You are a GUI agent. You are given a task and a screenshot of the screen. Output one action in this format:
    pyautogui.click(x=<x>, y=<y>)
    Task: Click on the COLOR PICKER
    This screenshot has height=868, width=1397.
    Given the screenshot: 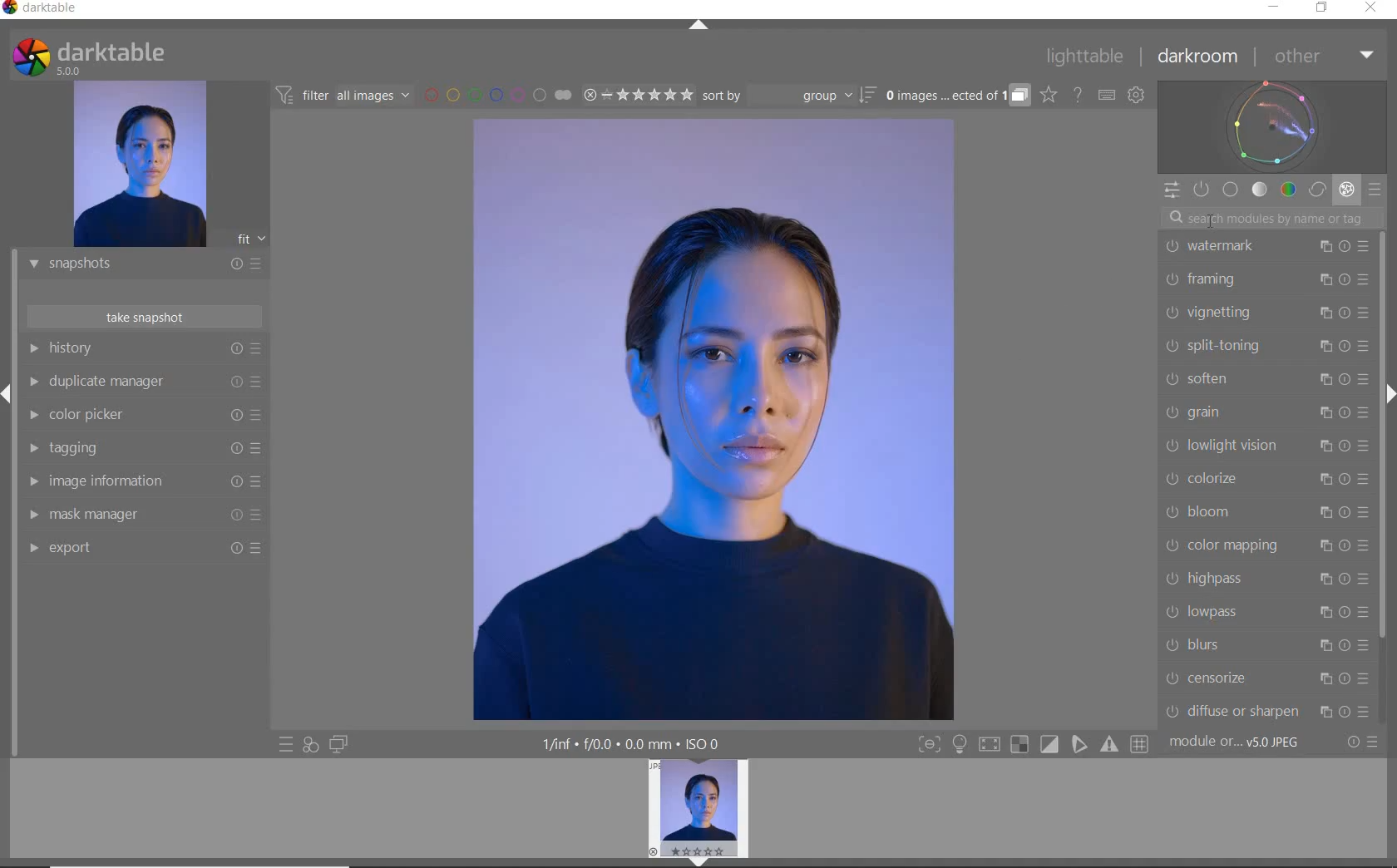 What is the action you would take?
    pyautogui.click(x=147, y=416)
    